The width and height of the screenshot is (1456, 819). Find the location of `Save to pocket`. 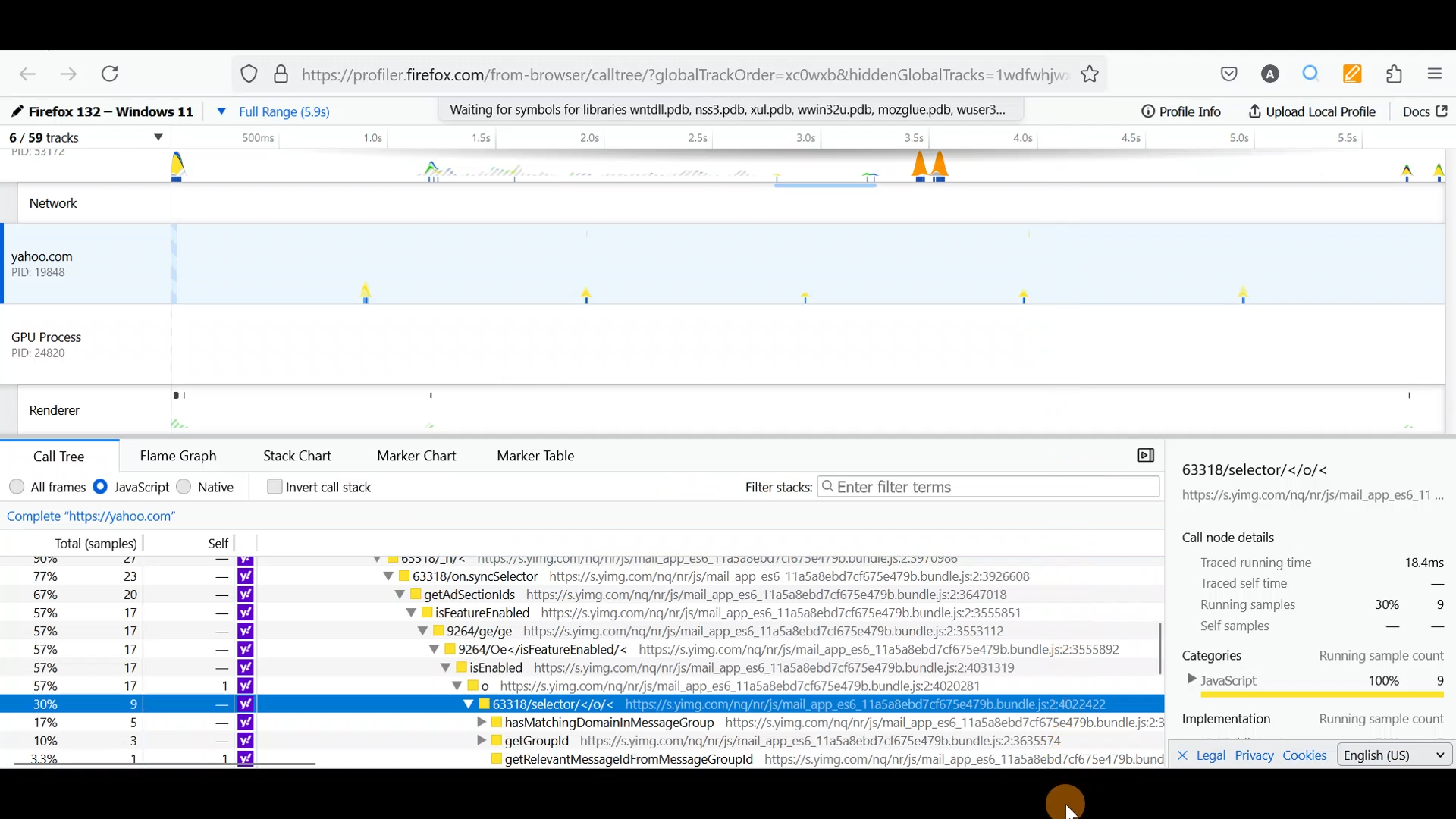

Save to pocket is located at coordinates (1221, 74).